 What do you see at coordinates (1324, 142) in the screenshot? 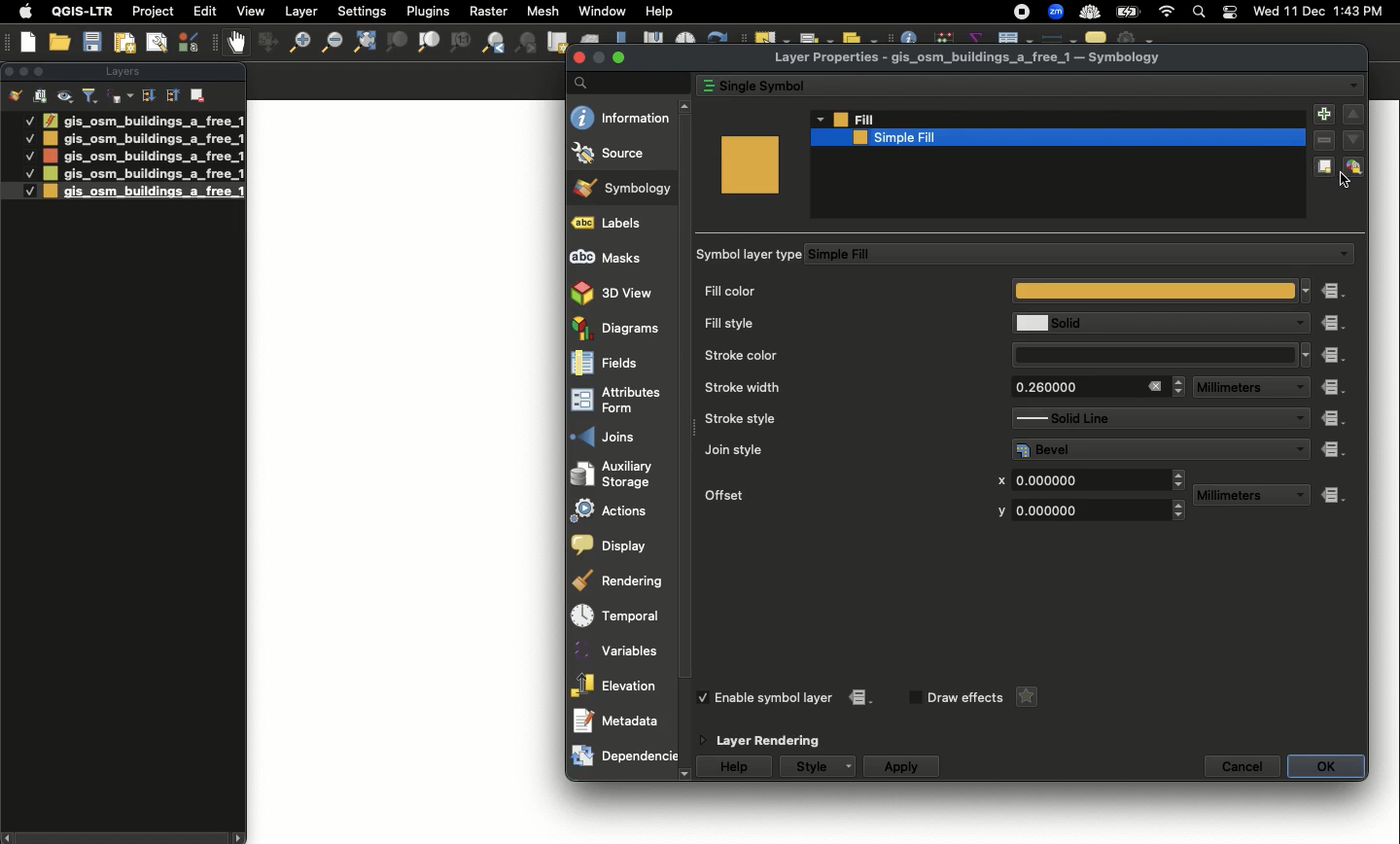
I see `Remove` at bounding box center [1324, 142].